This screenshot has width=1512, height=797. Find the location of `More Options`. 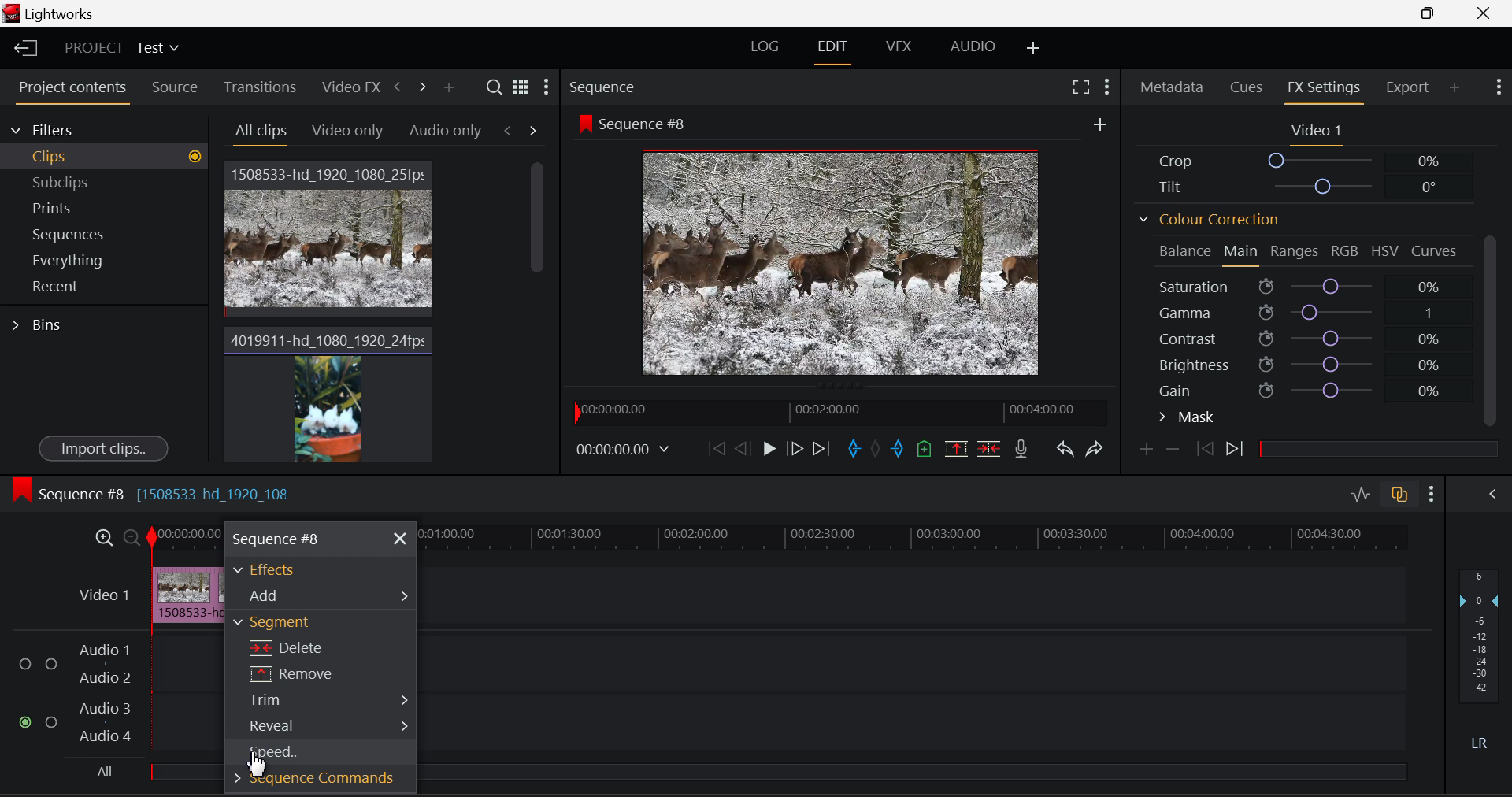

More Options is located at coordinates (1100, 126).